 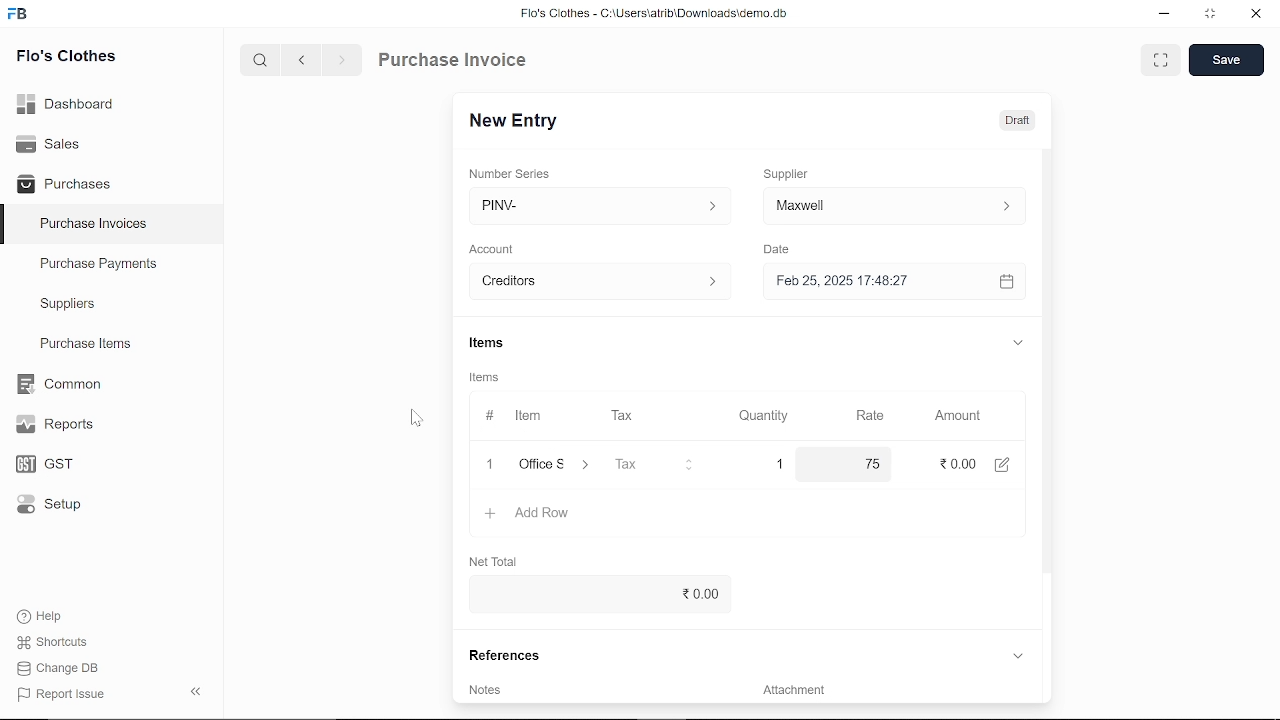 What do you see at coordinates (48, 142) in the screenshot?
I see `Sales` at bounding box center [48, 142].